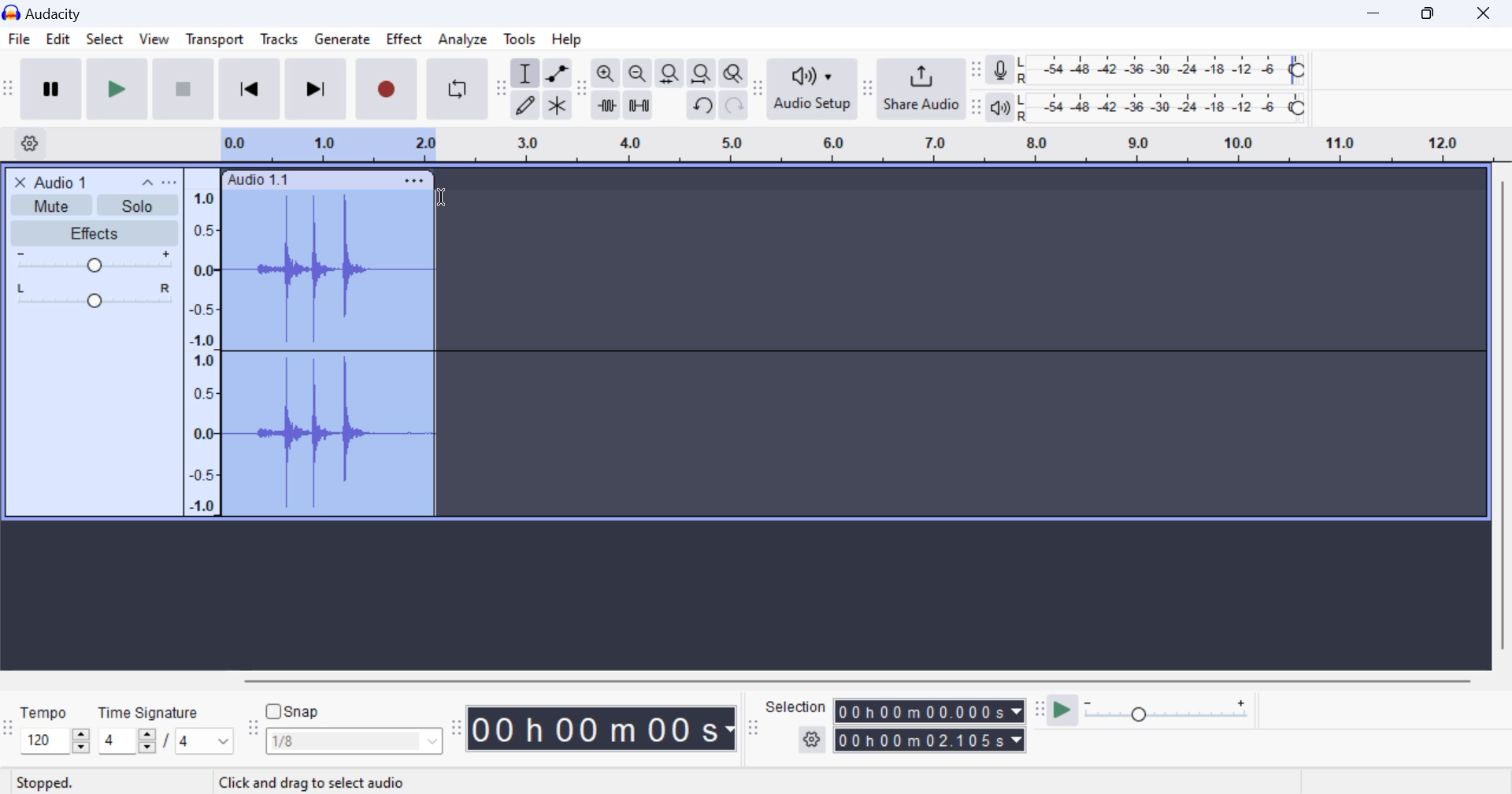  Describe the element at coordinates (734, 106) in the screenshot. I see `redo` at that location.